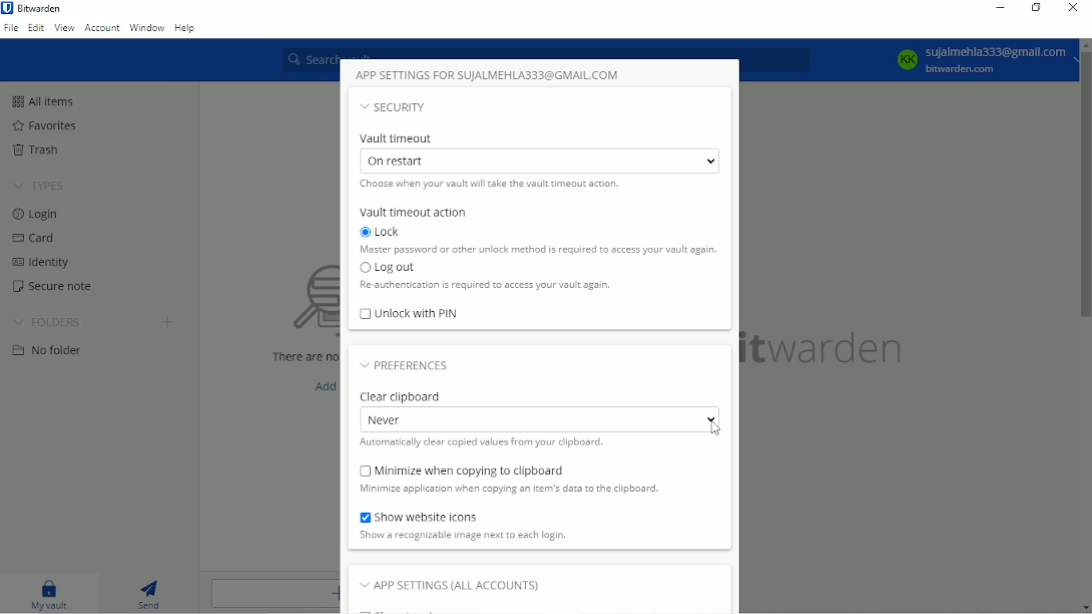  Describe the element at coordinates (1036, 7) in the screenshot. I see `Restore down` at that location.